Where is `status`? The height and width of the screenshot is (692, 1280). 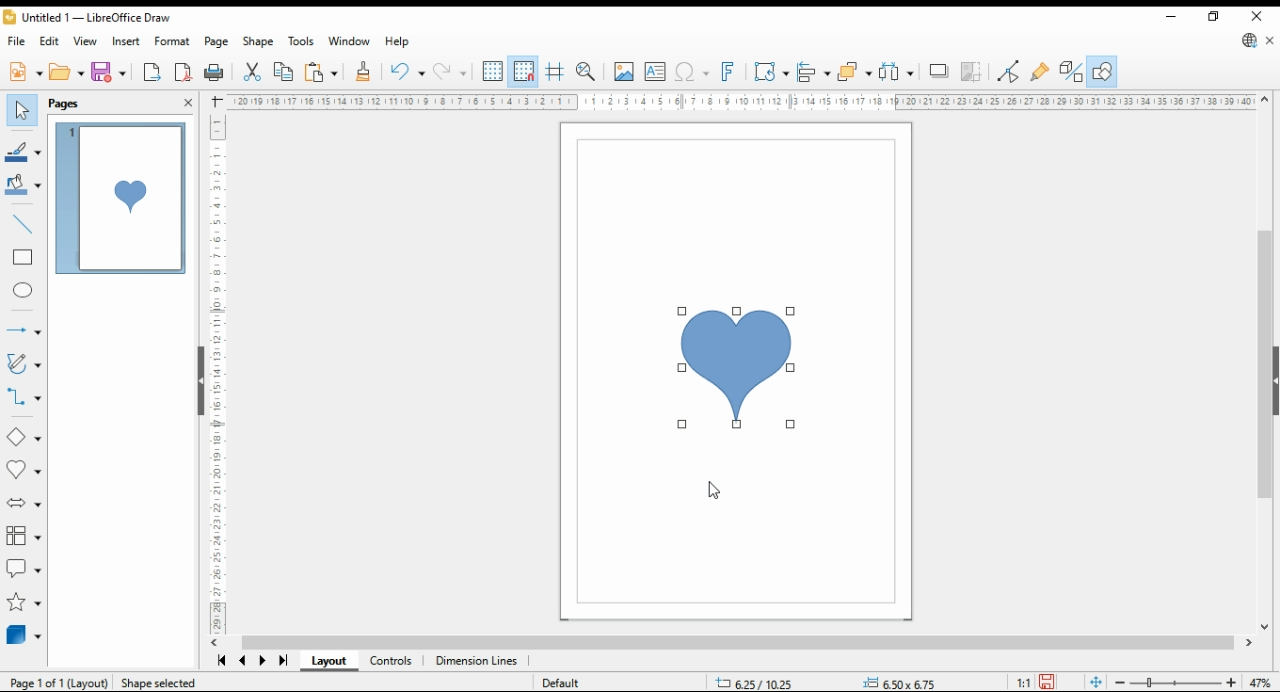 status is located at coordinates (822, 682).